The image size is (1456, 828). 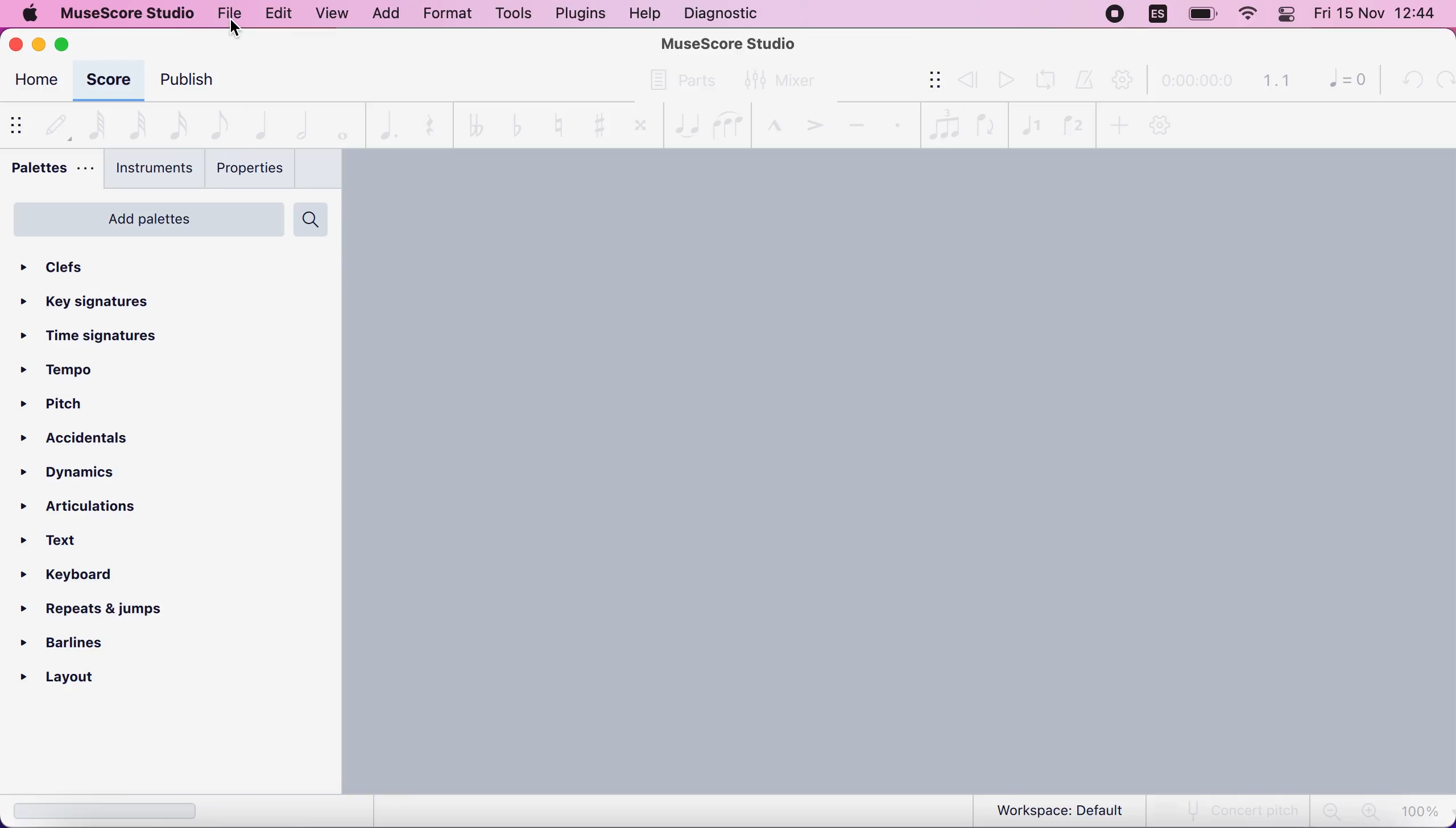 What do you see at coordinates (108, 81) in the screenshot?
I see `score` at bounding box center [108, 81].